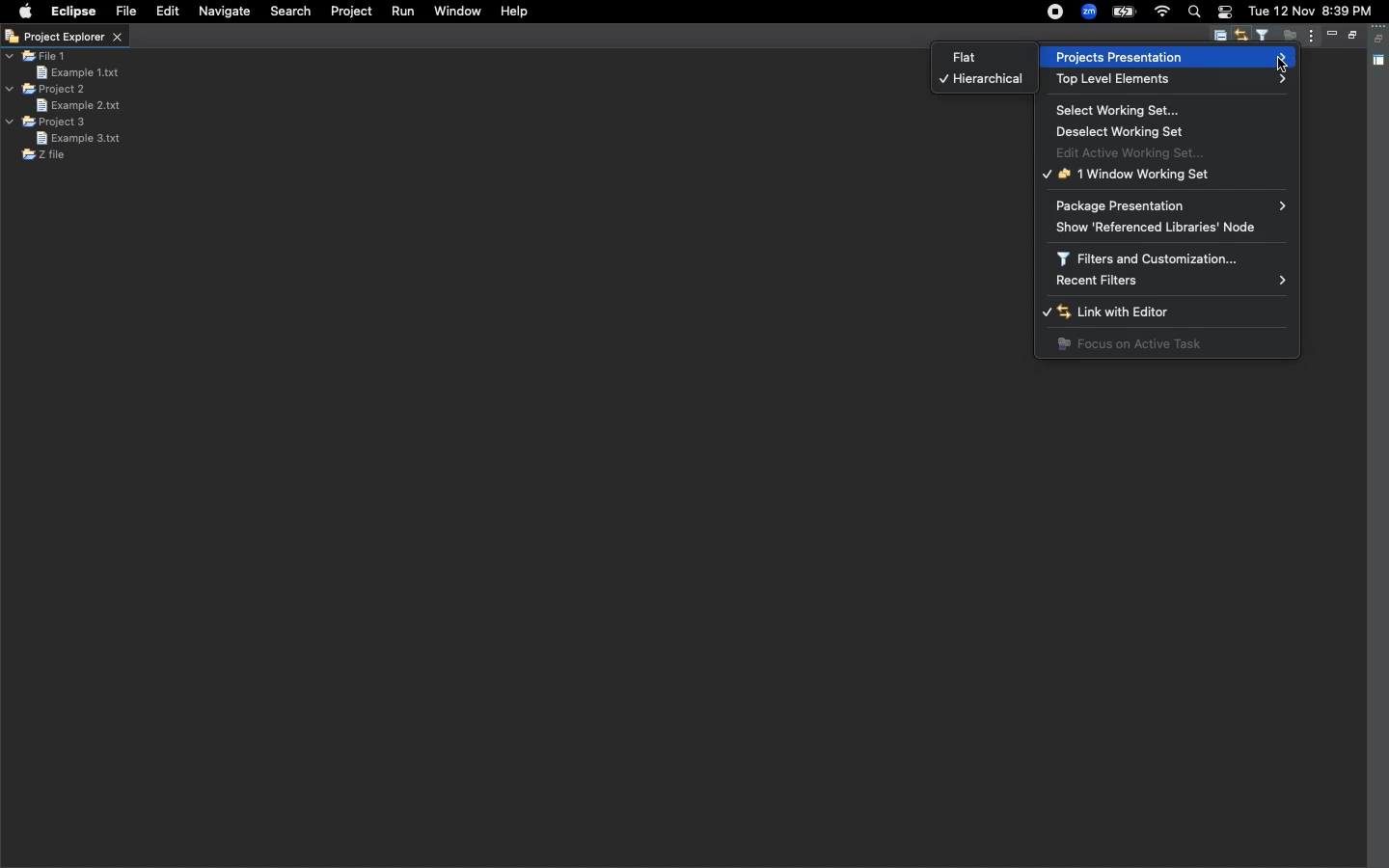  I want to click on Filters and customization, so click(1155, 258).